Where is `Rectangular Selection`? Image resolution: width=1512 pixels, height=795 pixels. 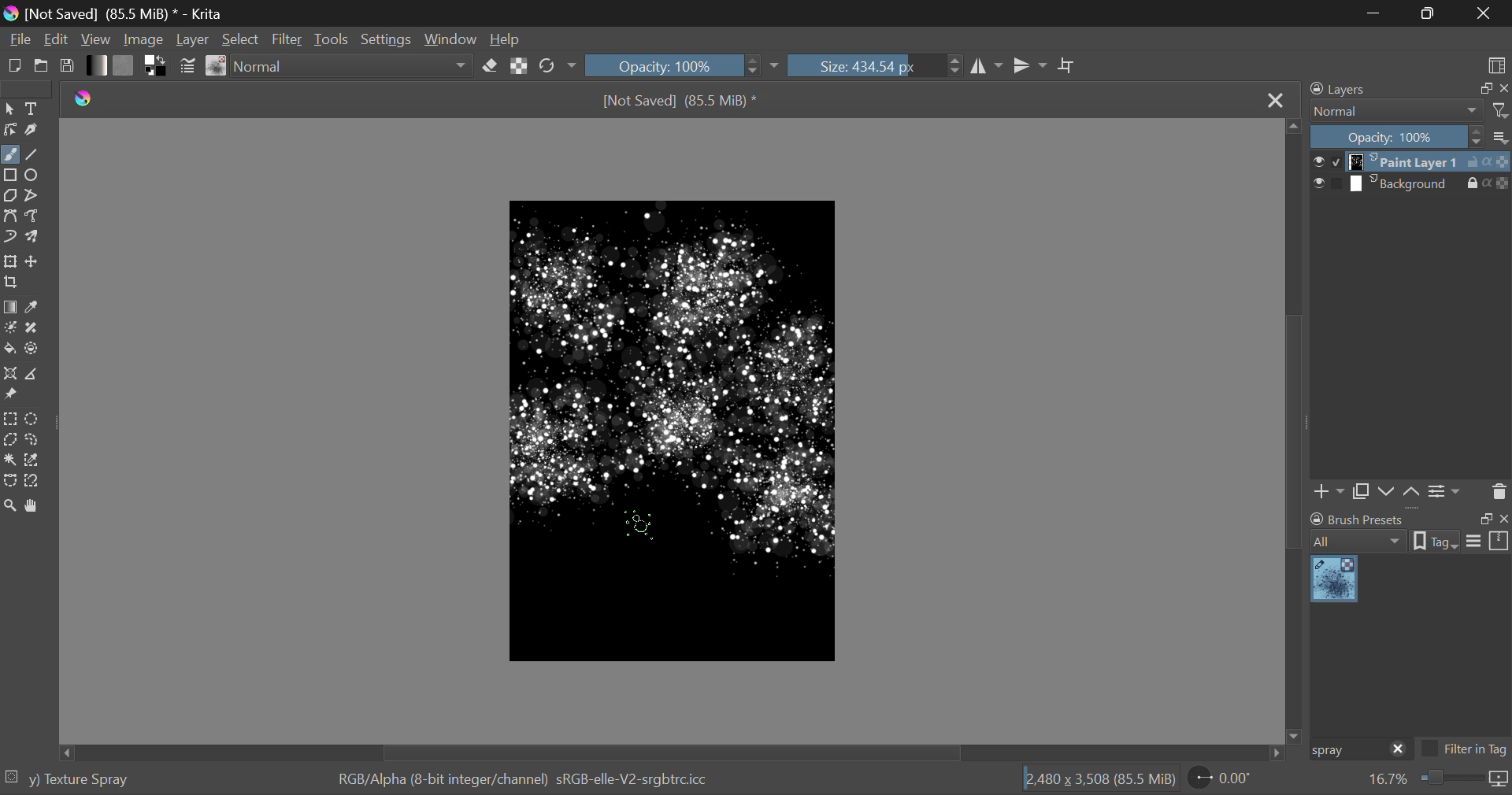
Rectangular Selection is located at coordinates (10, 420).